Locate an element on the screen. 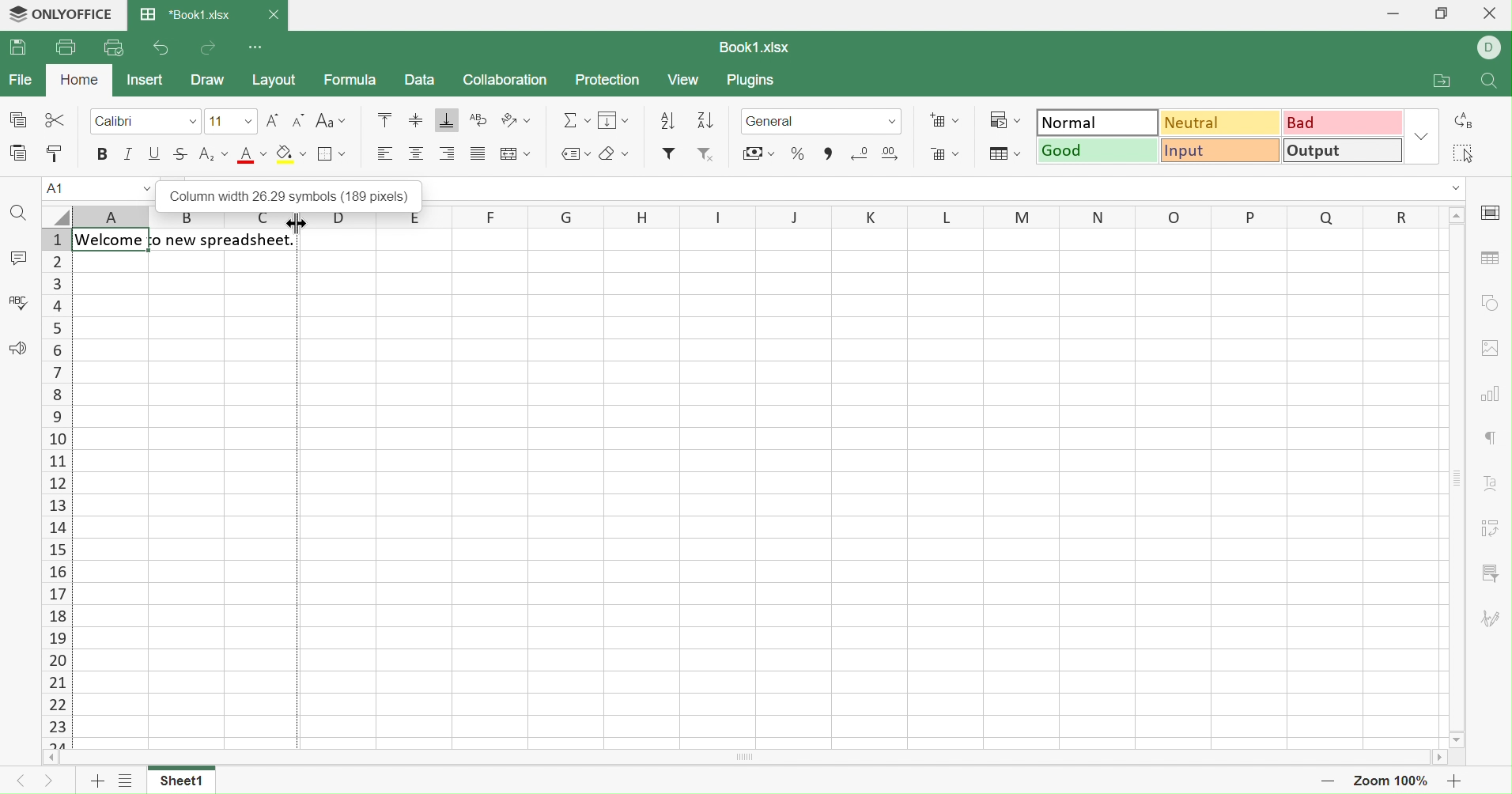 This screenshot has height=794, width=1512. View is located at coordinates (686, 81).